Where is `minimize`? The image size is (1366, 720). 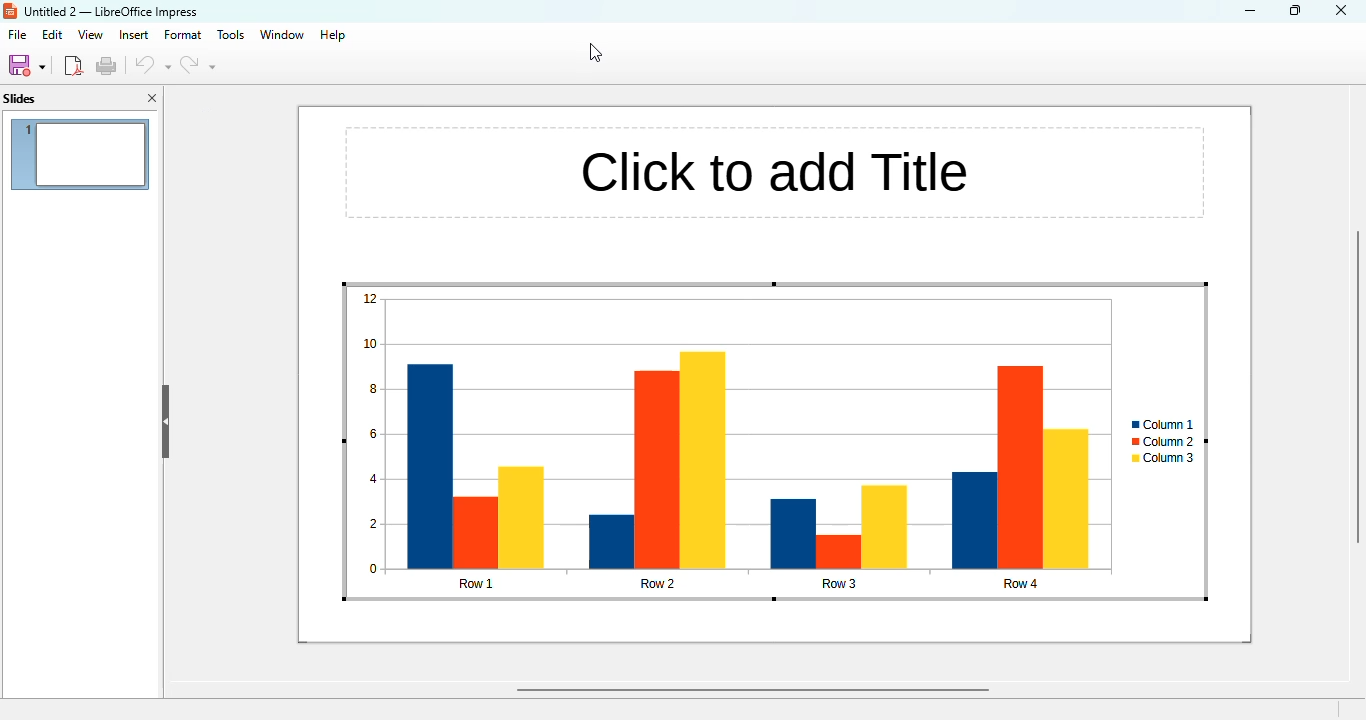
minimize is located at coordinates (1248, 10).